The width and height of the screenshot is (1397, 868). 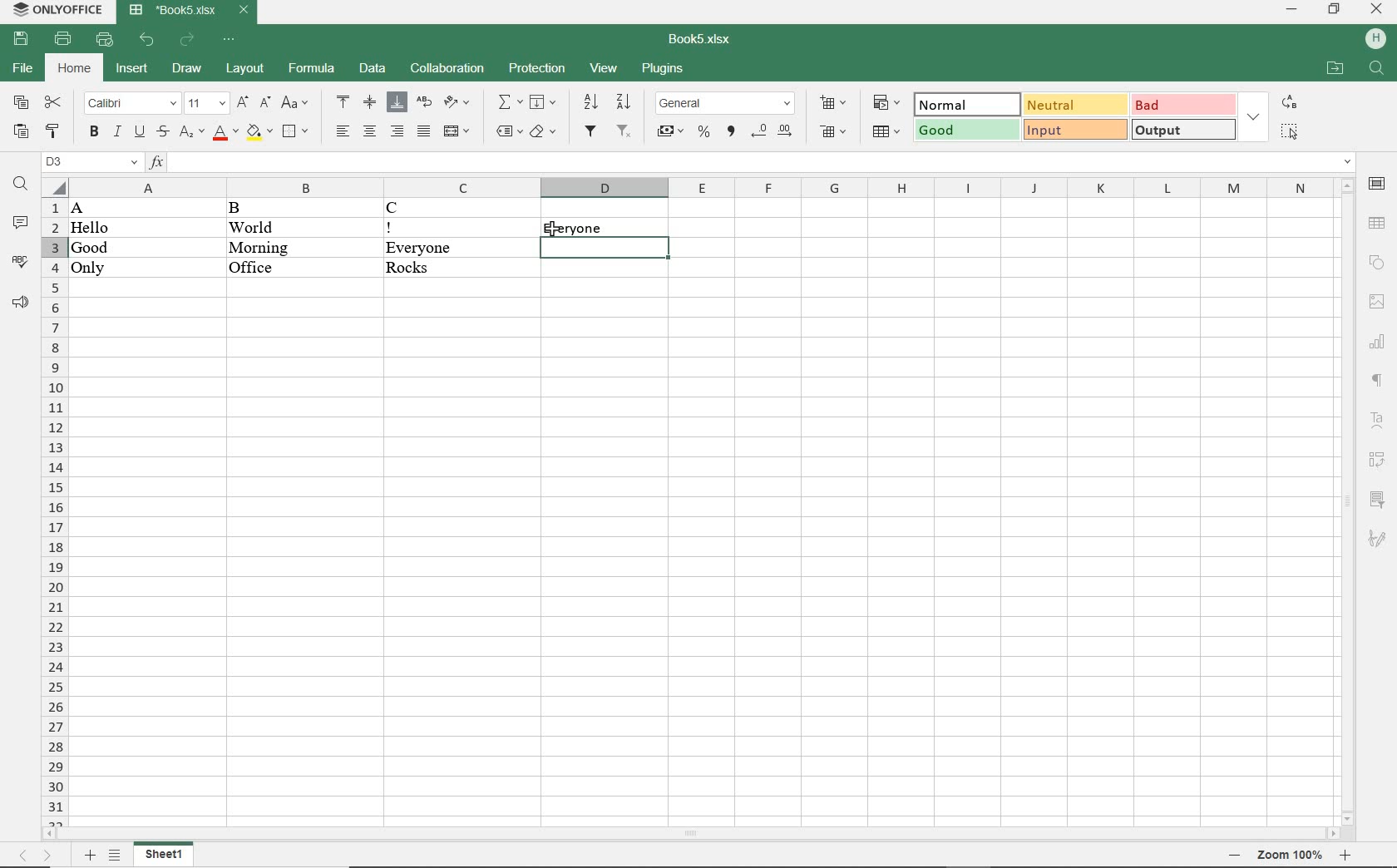 I want to click on formula, so click(x=313, y=70).